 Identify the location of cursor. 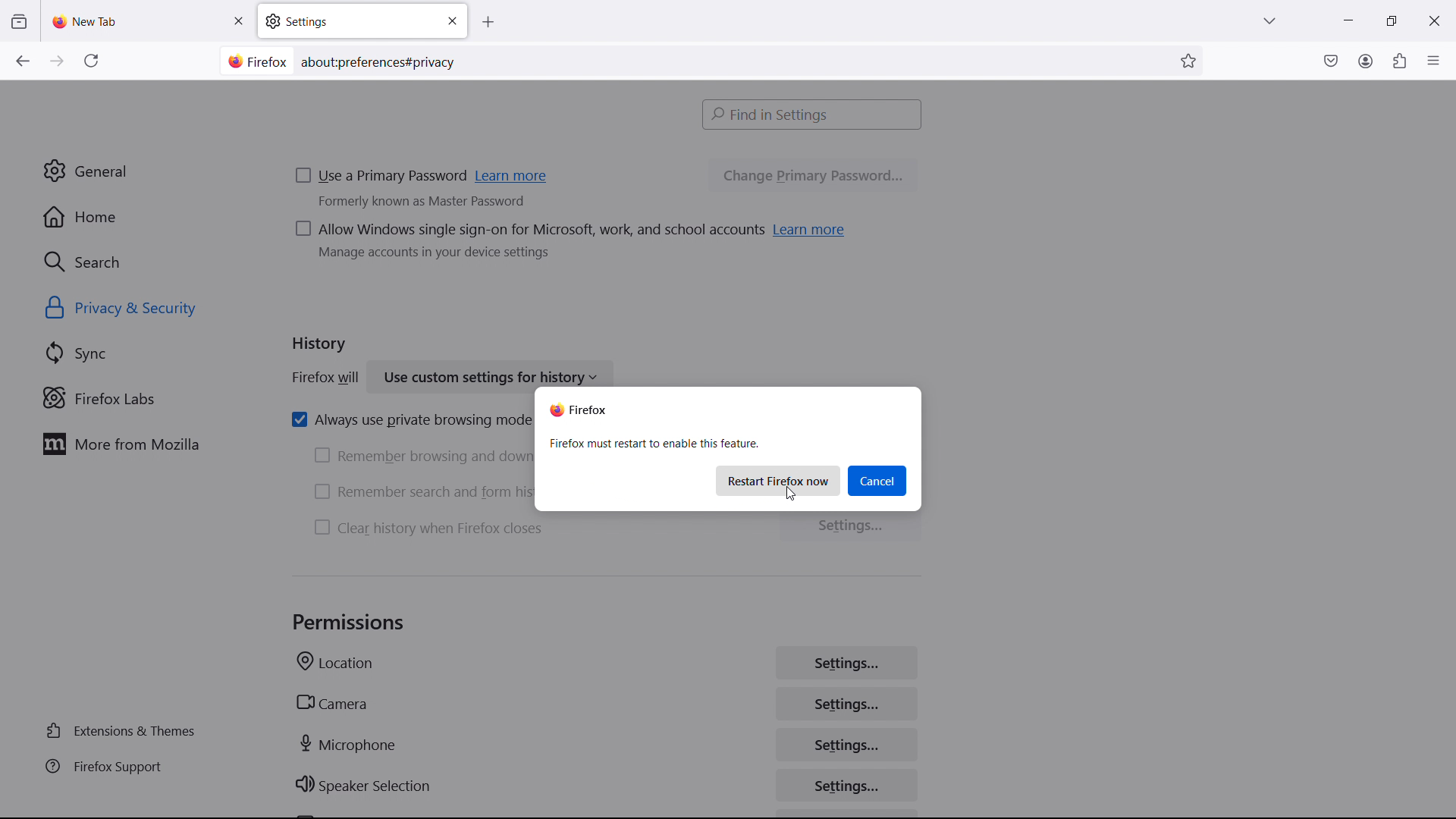
(795, 493).